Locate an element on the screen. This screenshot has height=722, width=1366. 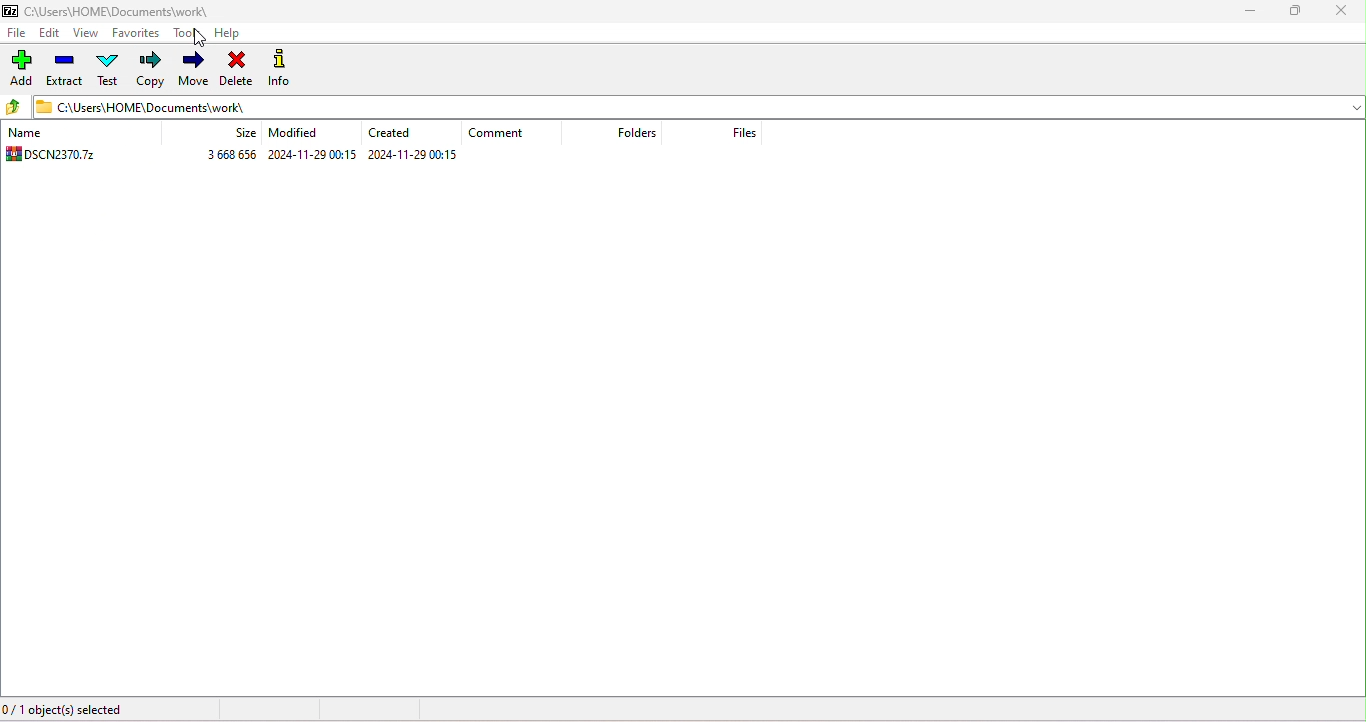
extract is located at coordinates (68, 70).